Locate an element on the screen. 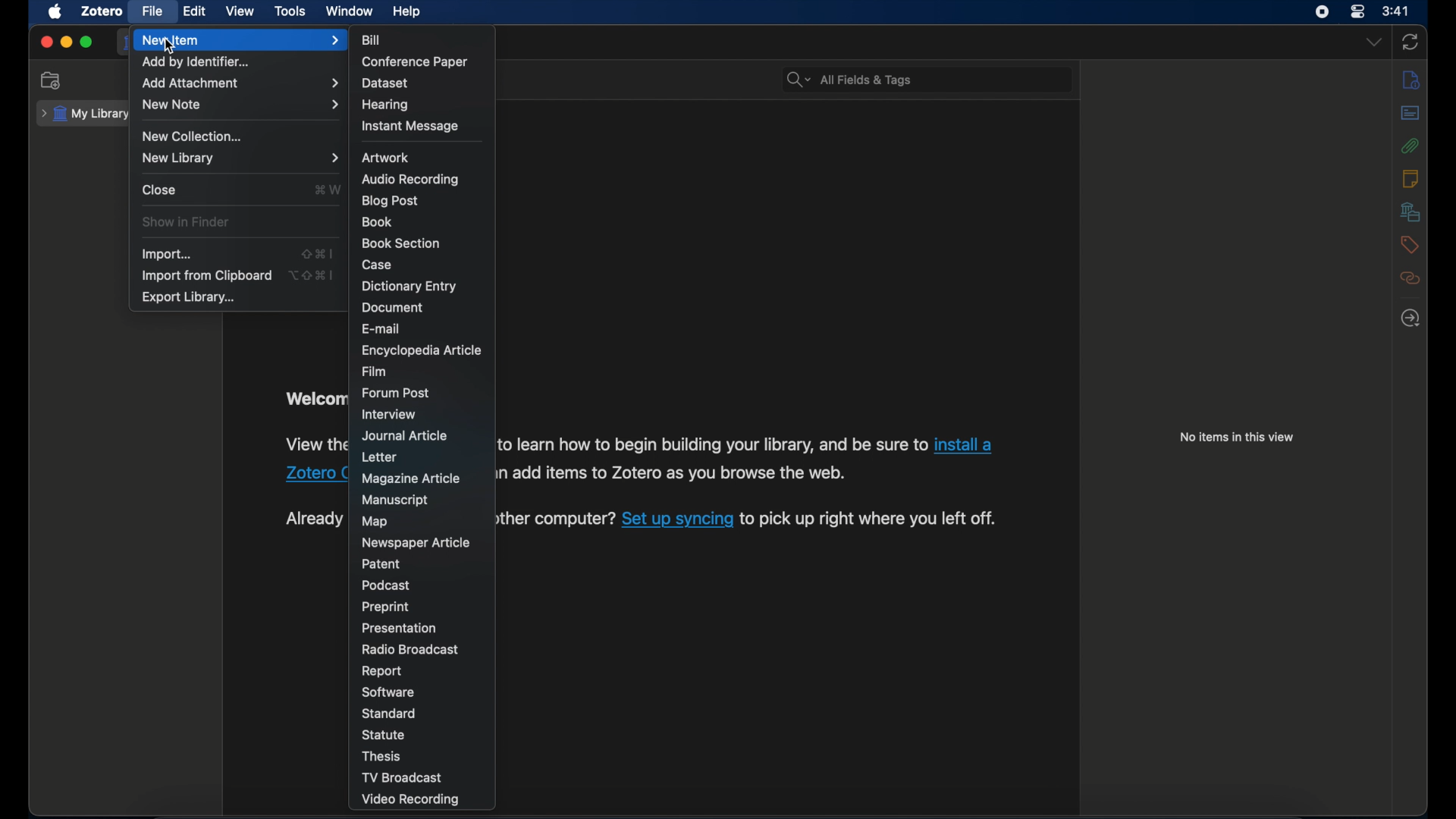  magazine article is located at coordinates (413, 479).